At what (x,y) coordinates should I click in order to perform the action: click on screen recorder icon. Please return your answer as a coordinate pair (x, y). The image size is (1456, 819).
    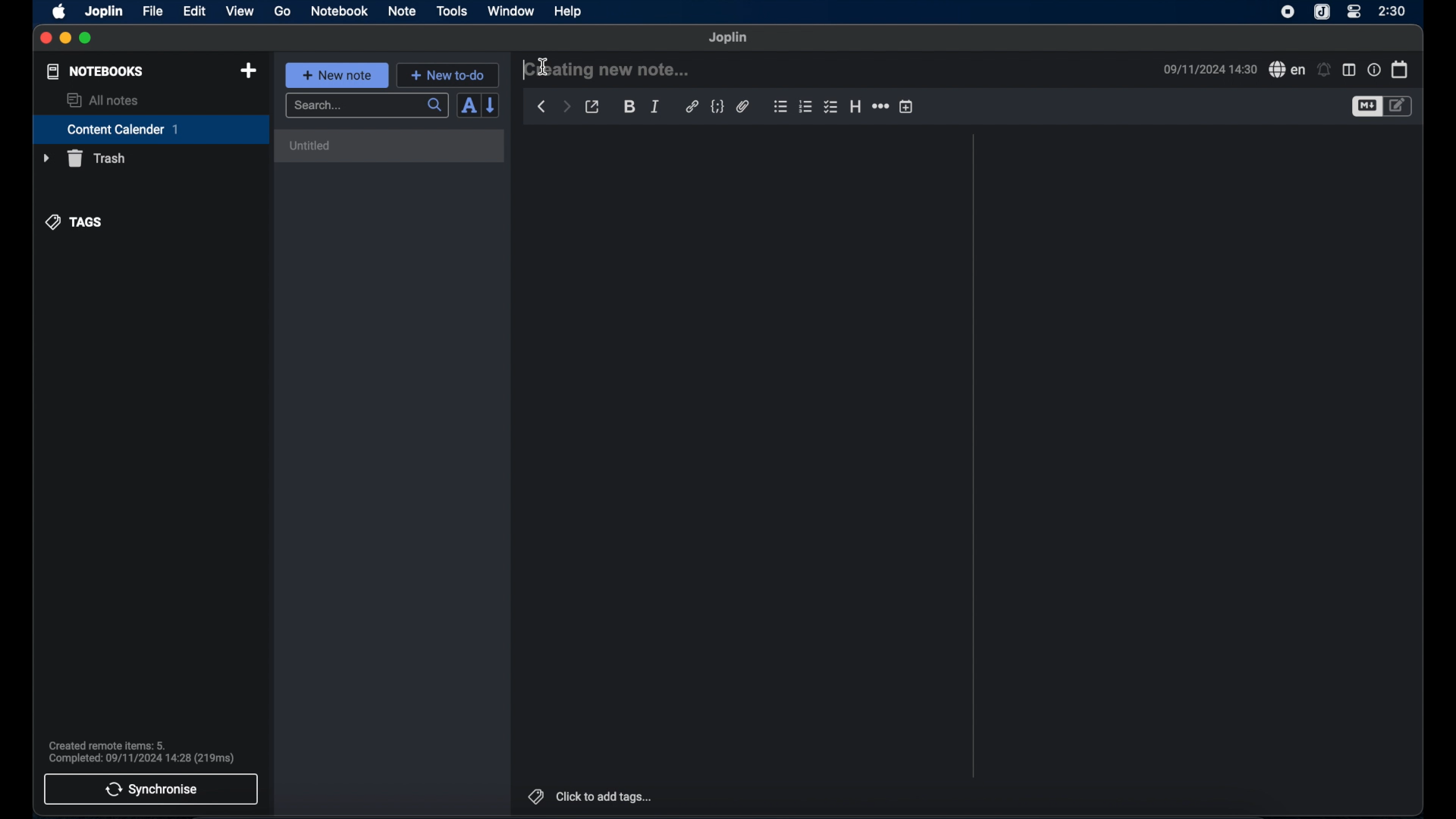
    Looking at the image, I should click on (1288, 13).